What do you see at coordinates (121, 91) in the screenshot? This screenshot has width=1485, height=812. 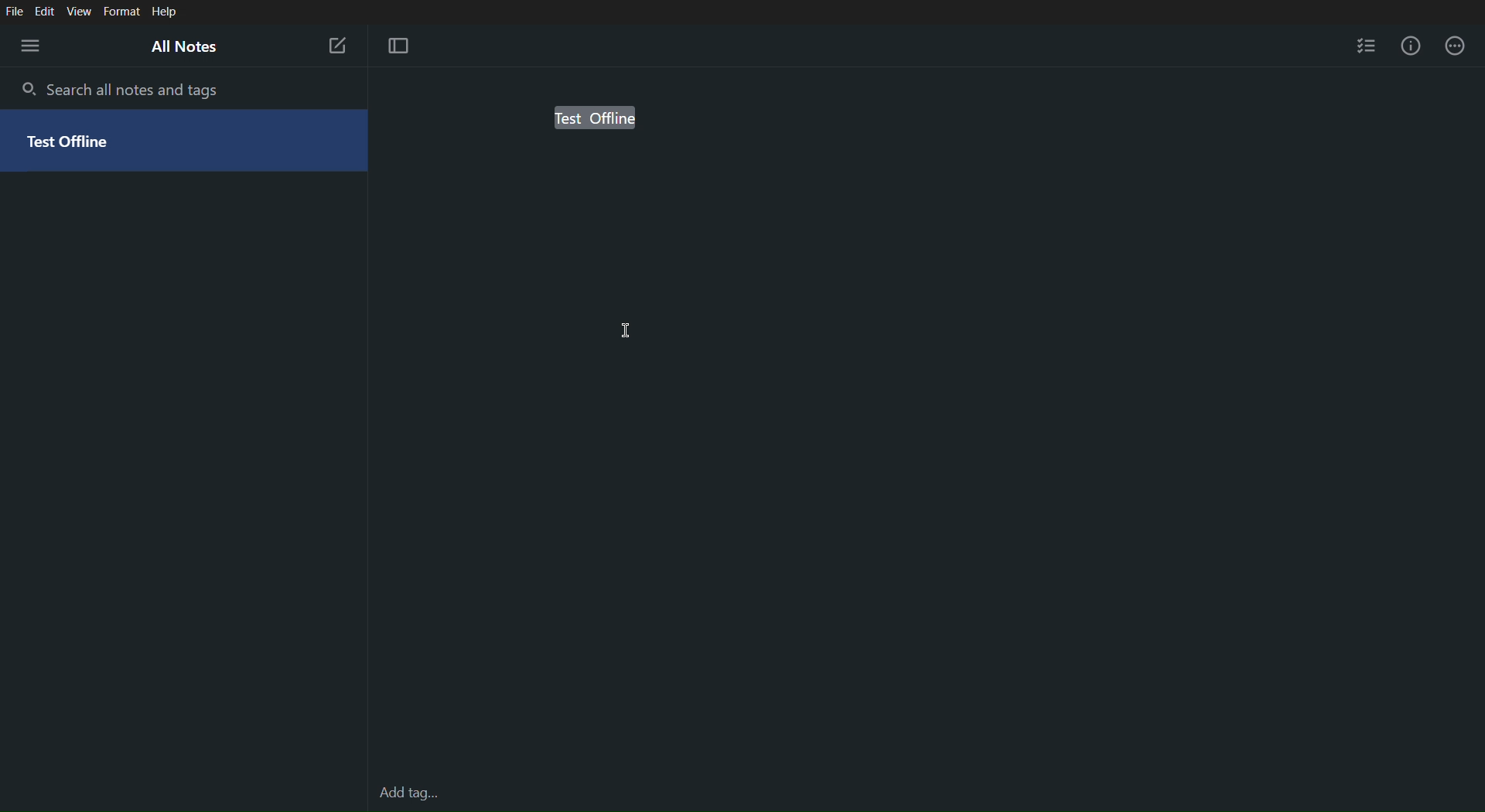 I see `Search all notes and tags` at bounding box center [121, 91].